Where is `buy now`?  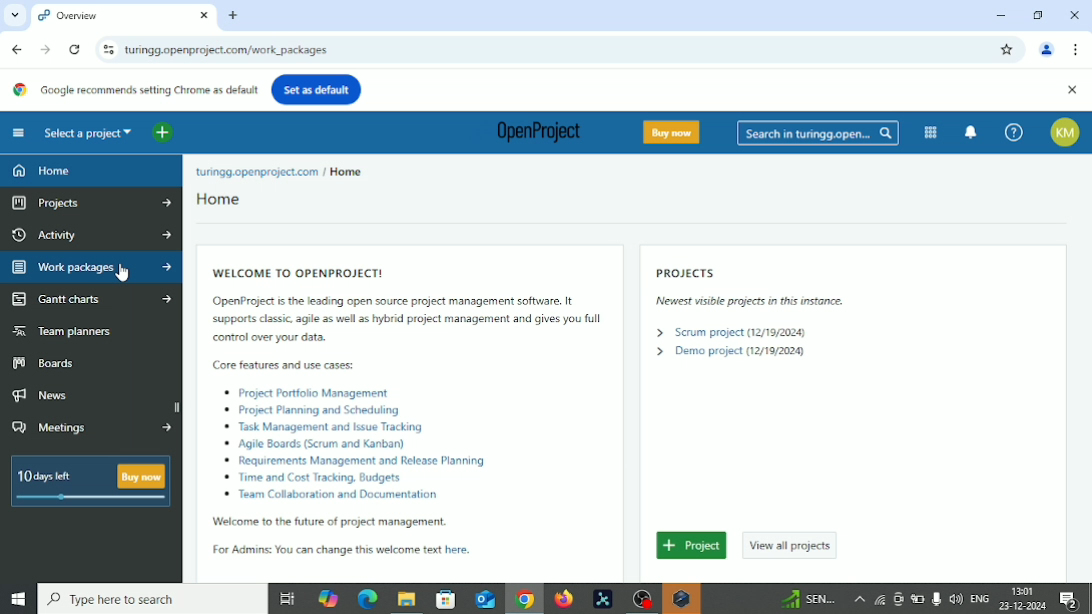 buy now is located at coordinates (140, 476).